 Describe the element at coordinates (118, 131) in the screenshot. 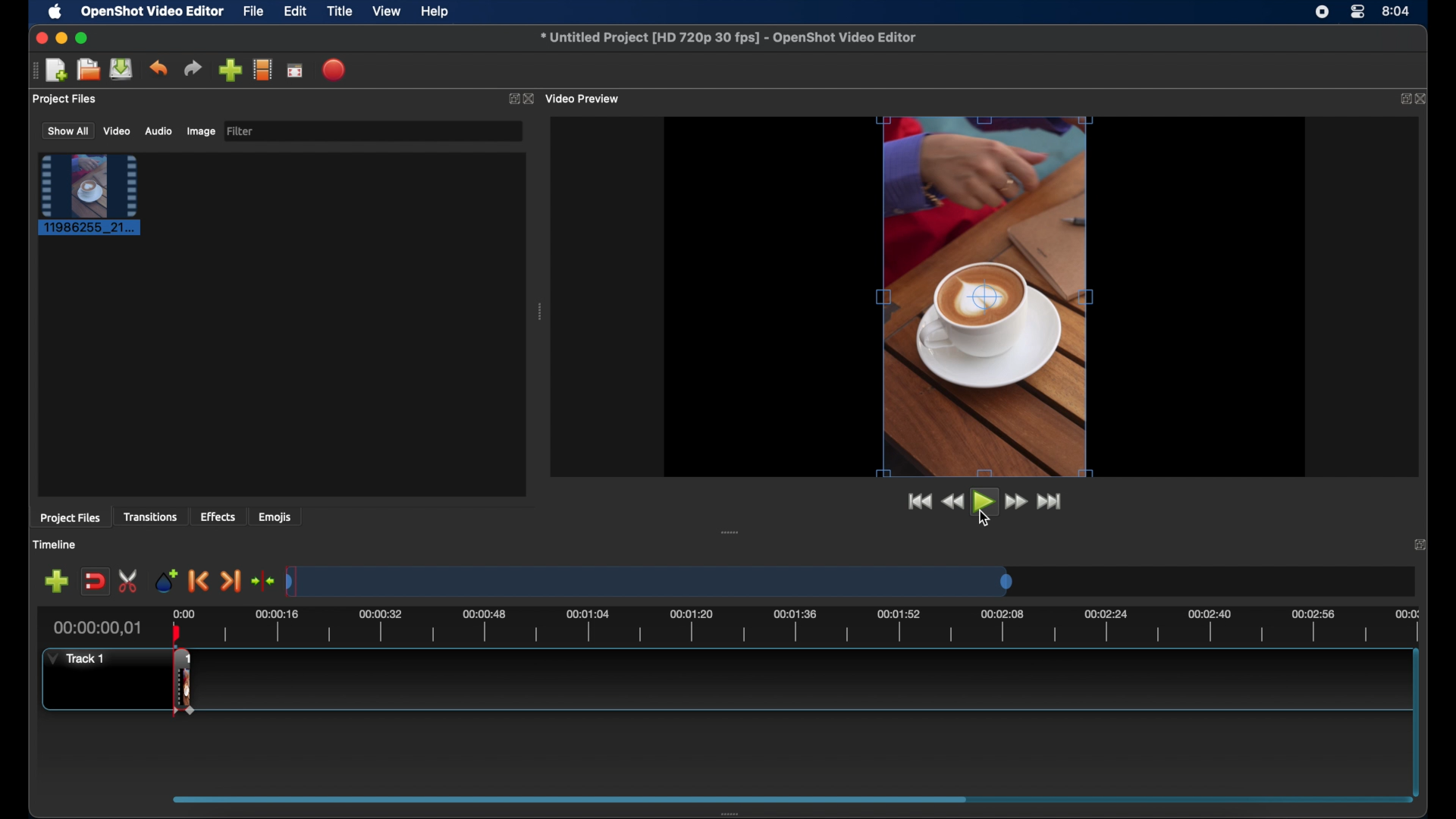

I see `video` at that location.